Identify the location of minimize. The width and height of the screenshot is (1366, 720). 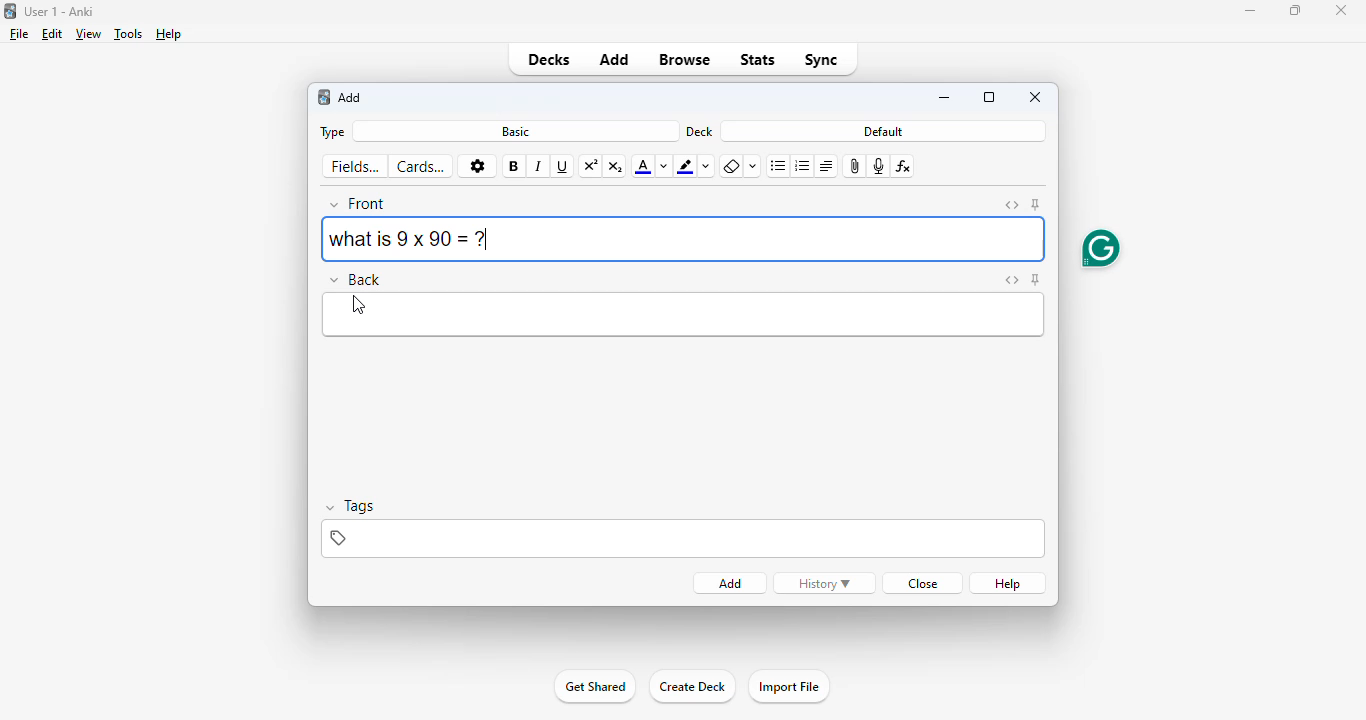
(946, 99).